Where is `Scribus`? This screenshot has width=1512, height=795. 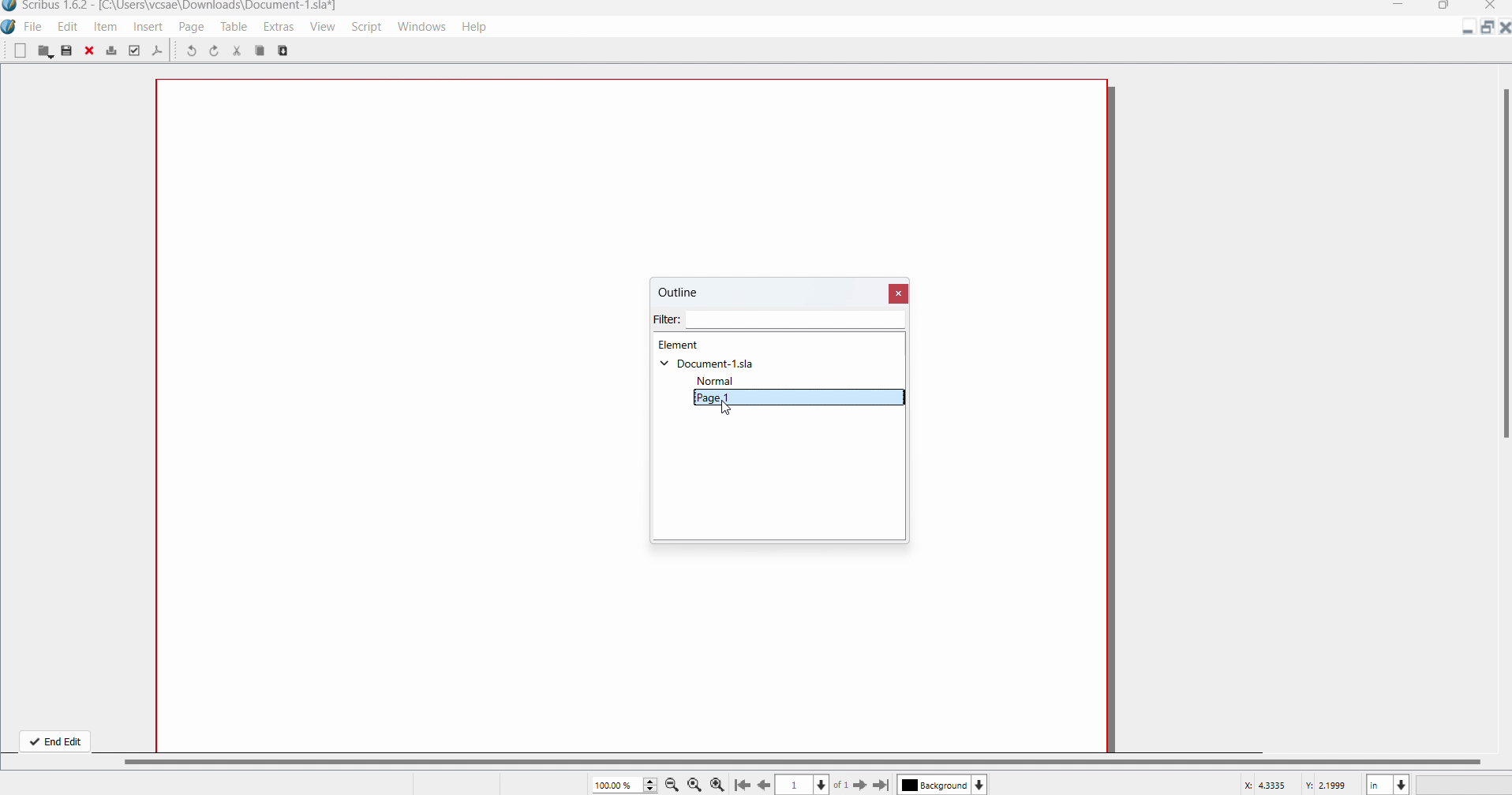
Scribus is located at coordinates (9, 29).